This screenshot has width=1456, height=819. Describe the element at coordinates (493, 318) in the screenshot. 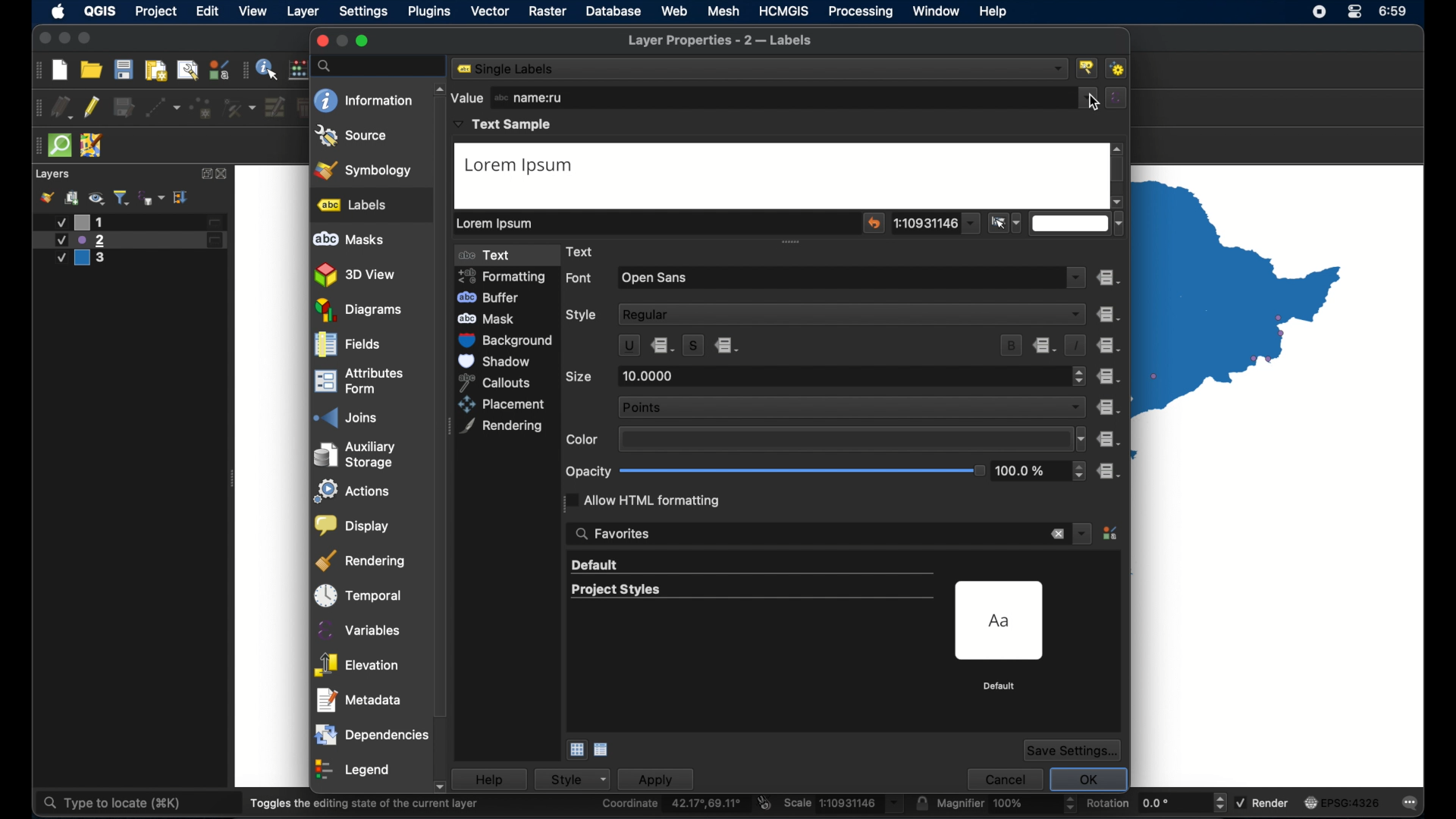

I see `mask` at that location.